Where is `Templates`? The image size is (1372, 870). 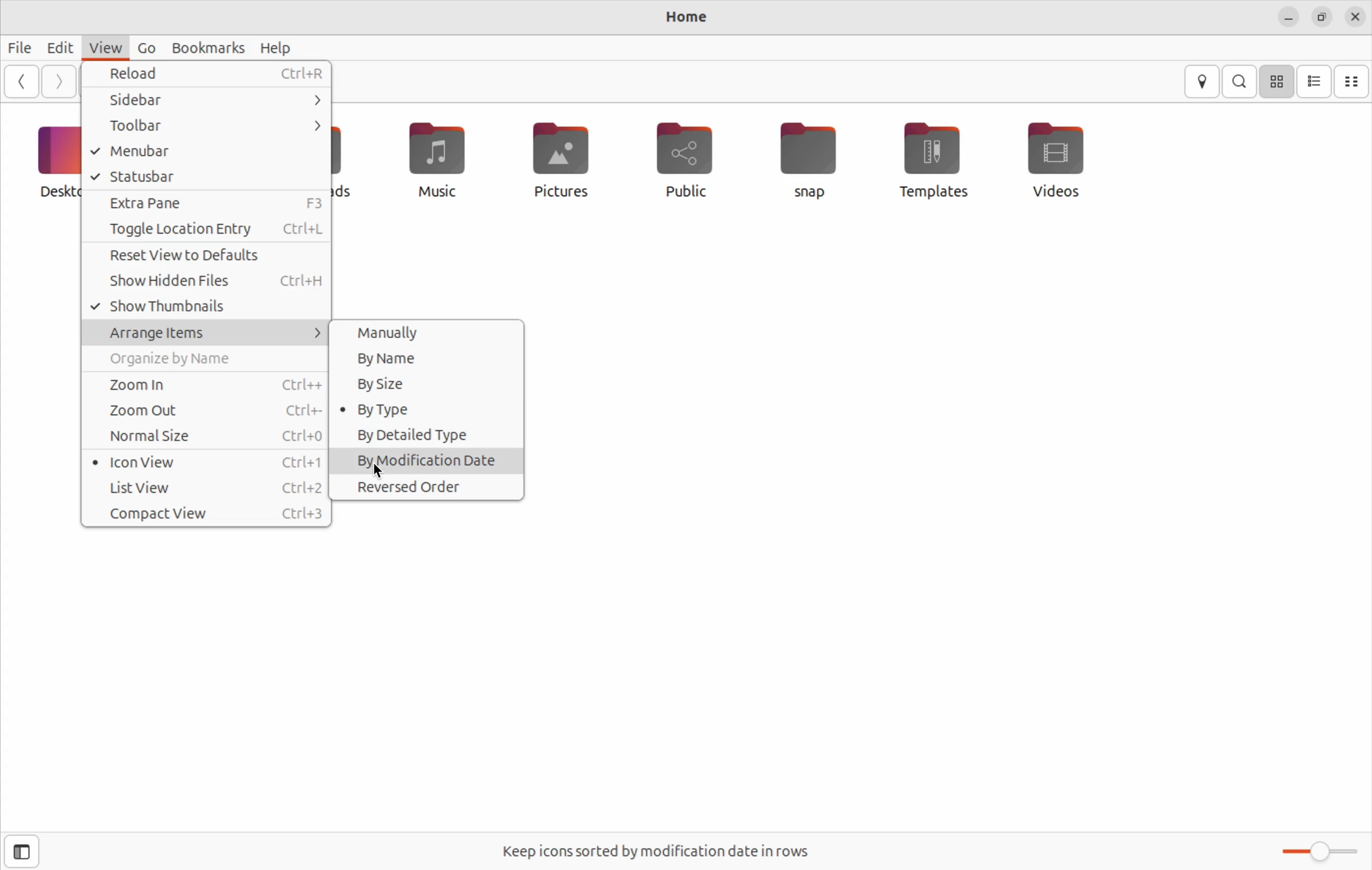 Templates is located at coordinates (930, 159).